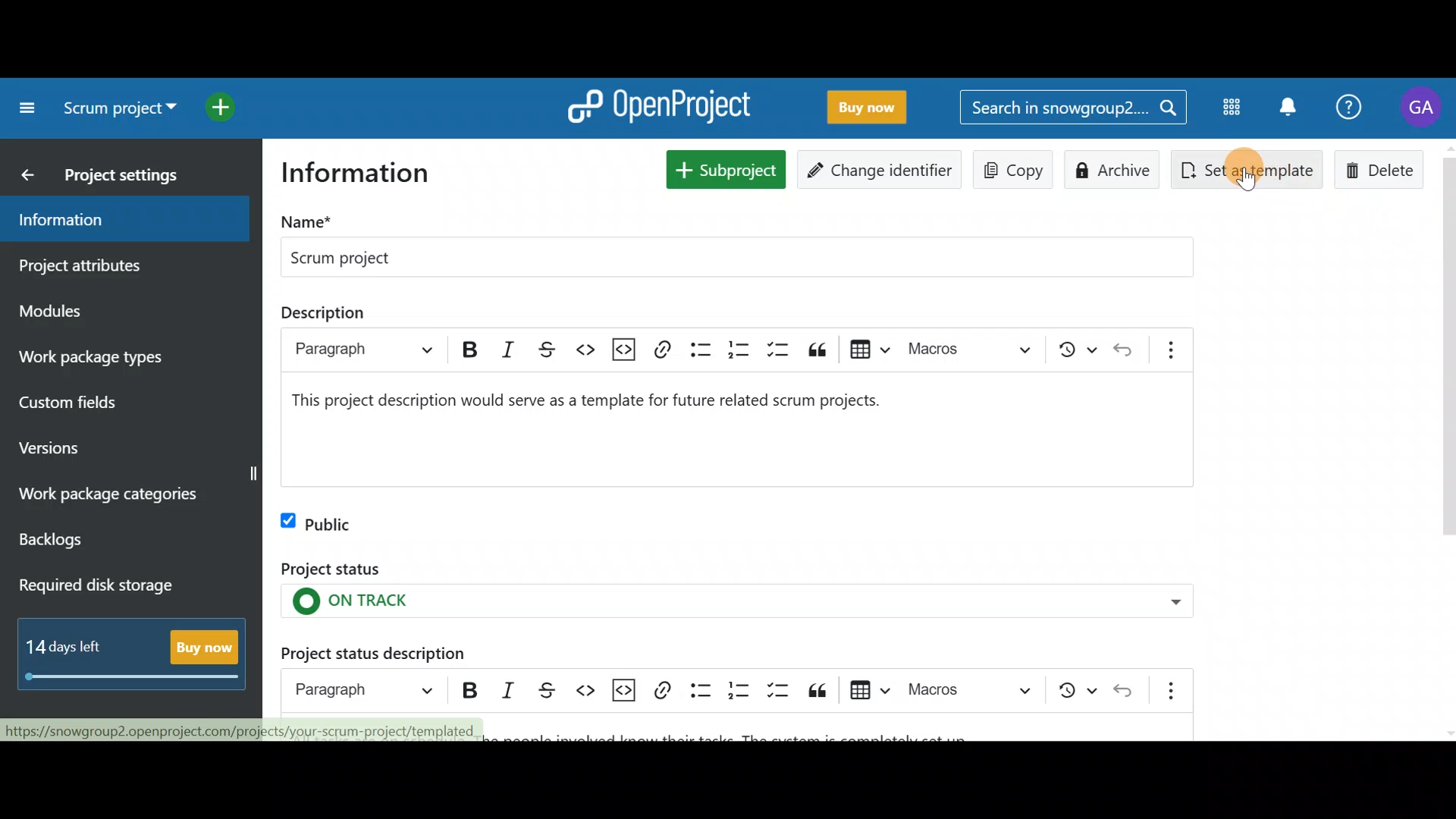  What do you see at coordinates (1389, 169) in the screenshot?
I see `Delete` at bounding box center [1389, 169].